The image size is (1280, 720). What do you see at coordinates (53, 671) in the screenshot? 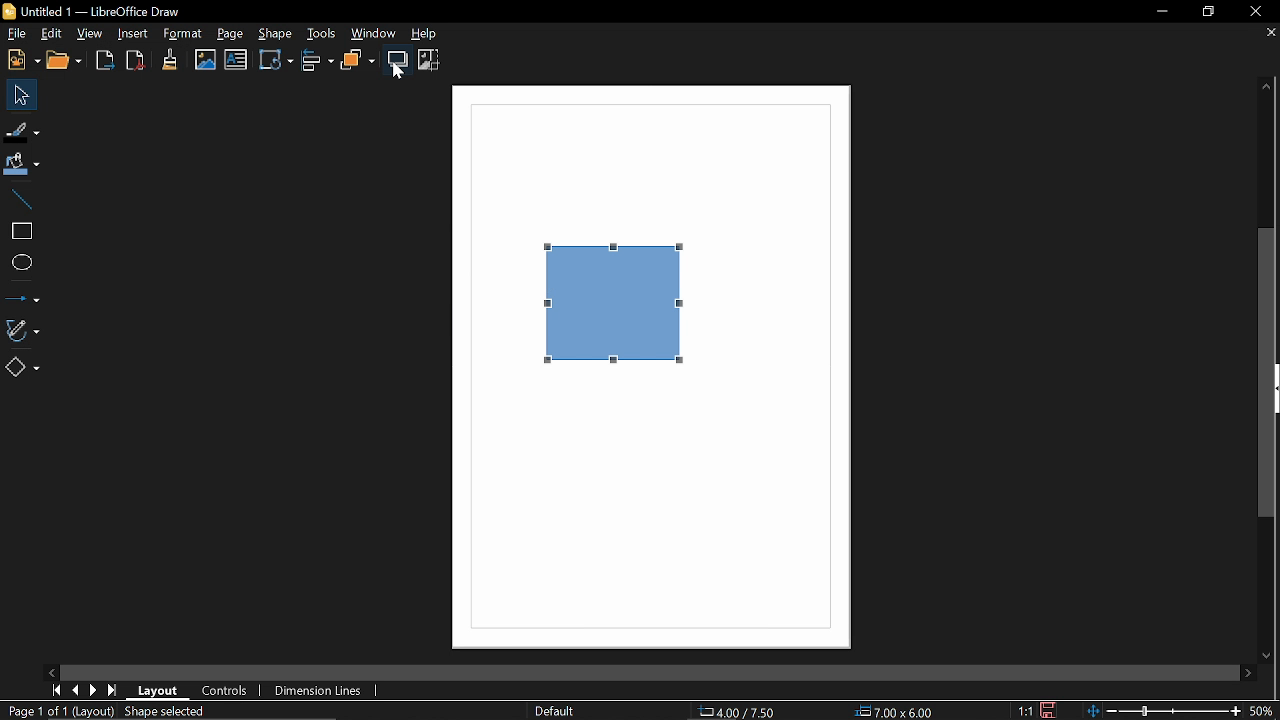
I see `Move left` at bounding box center [53, 671].